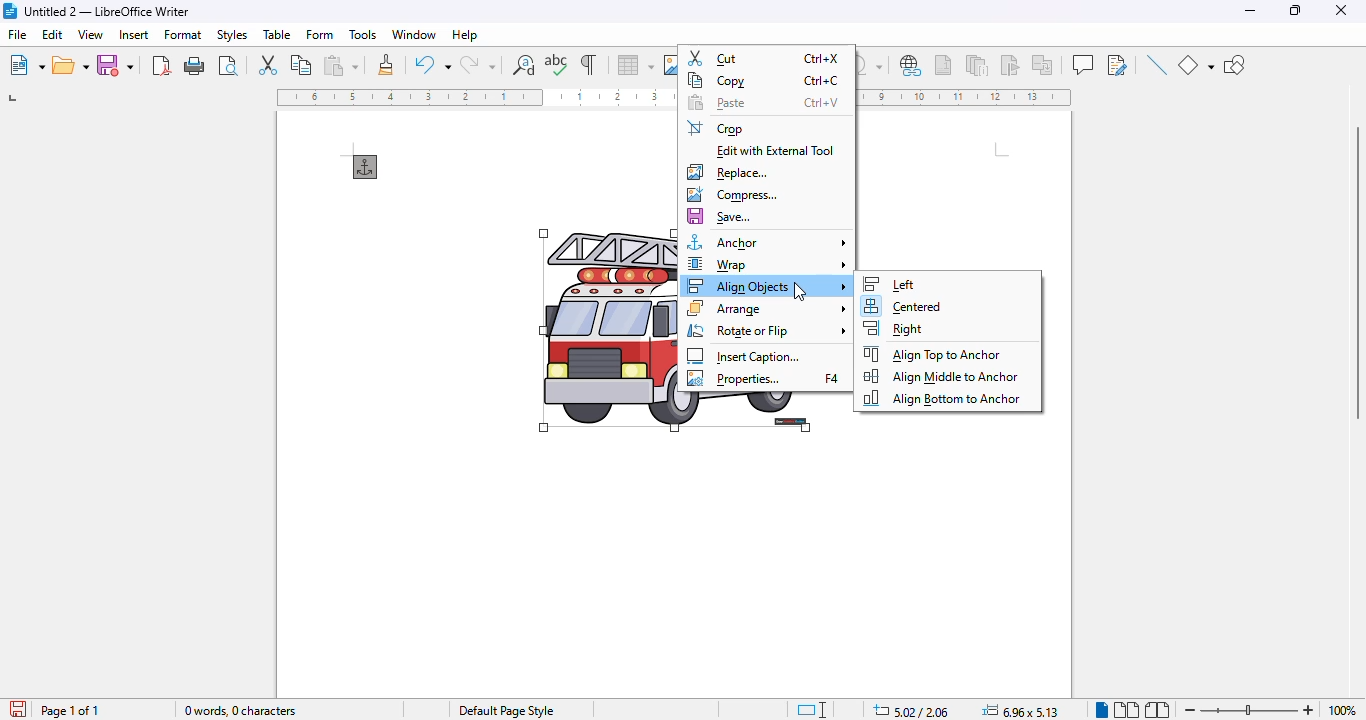  What do you see at coordinates (888, 284) in the screenshot?
I see `left` at bounding box center [888, 284].